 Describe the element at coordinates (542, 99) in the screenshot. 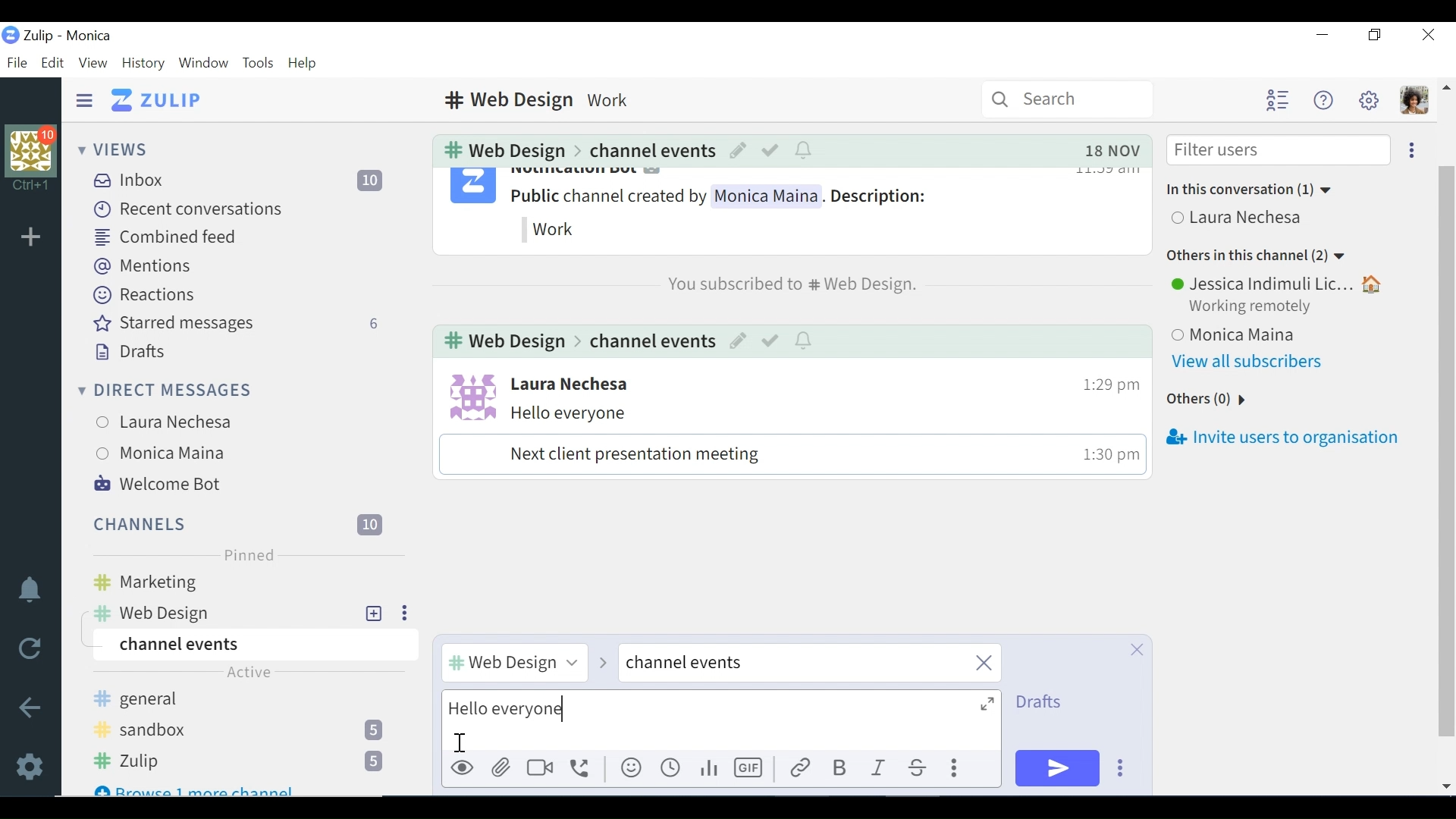

I see `web design Channel description` at that location.